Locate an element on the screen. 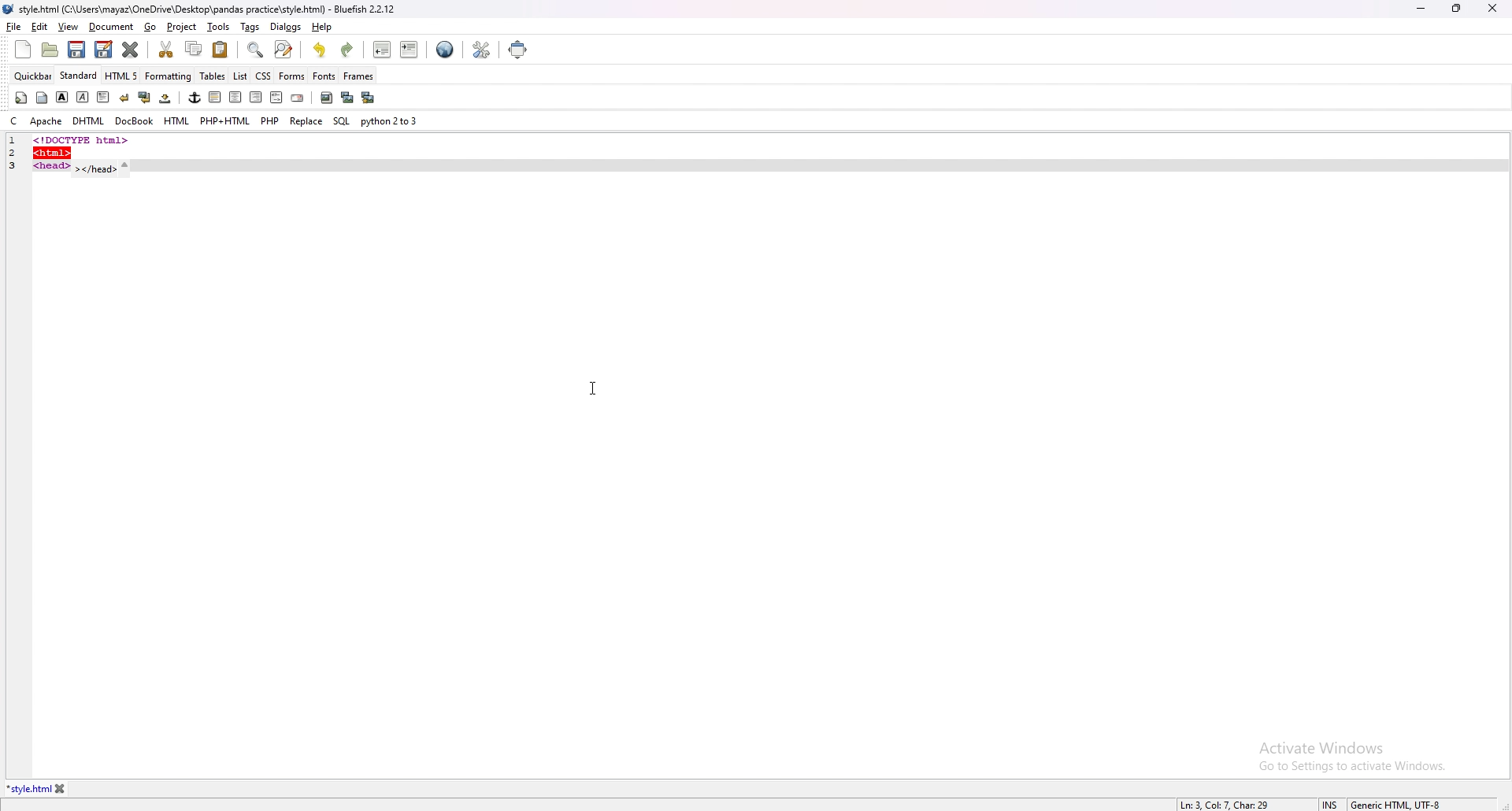 Image resolution: width=1512 pixels, height=811 pixels. paragraph is located at coordinates (102, 96).